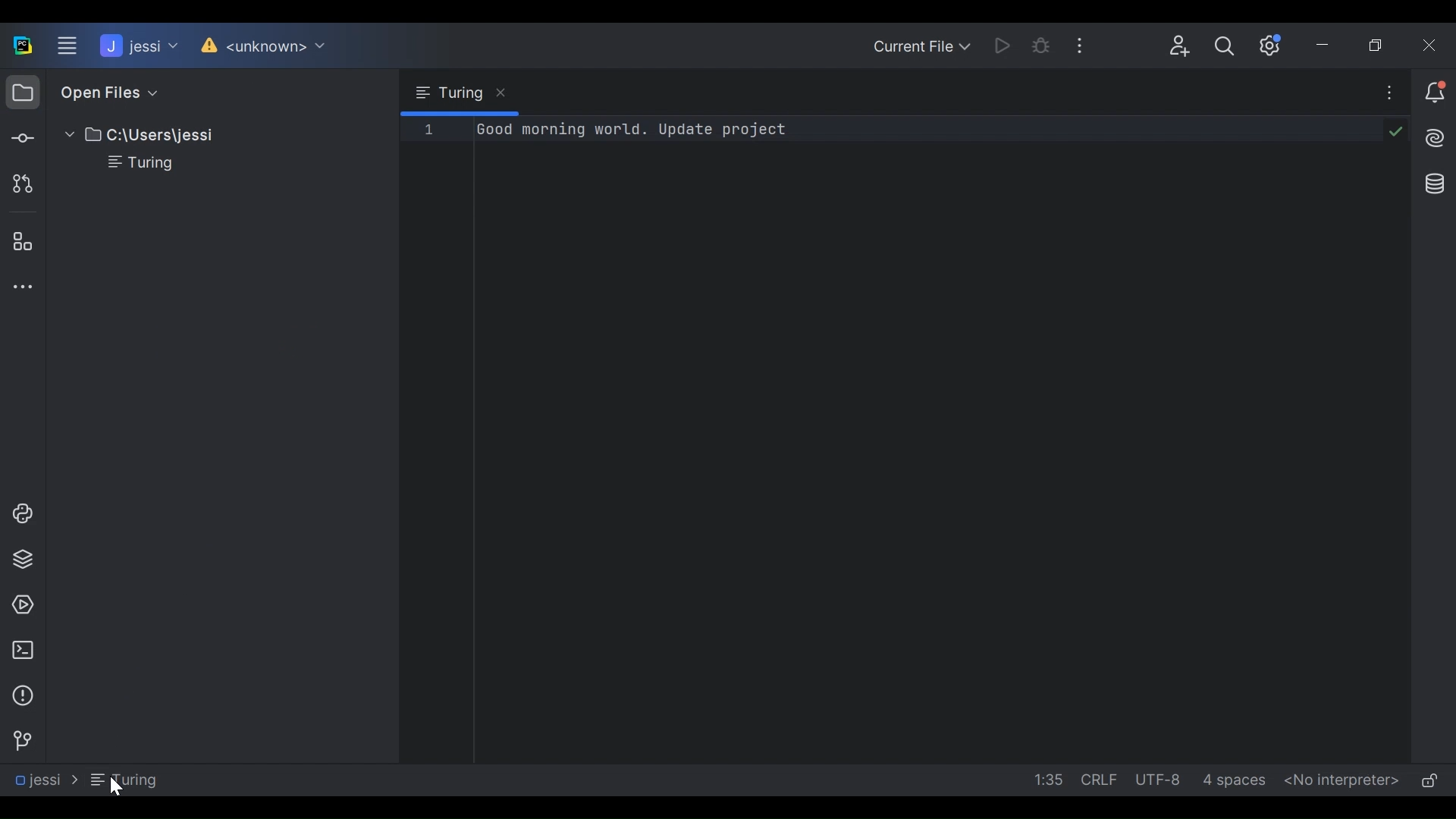 The image size is (1456, 819). What do you see at coordinates (132, 136) in the screenshot?
I see `Project Directory` at bounding box center [132, 136].